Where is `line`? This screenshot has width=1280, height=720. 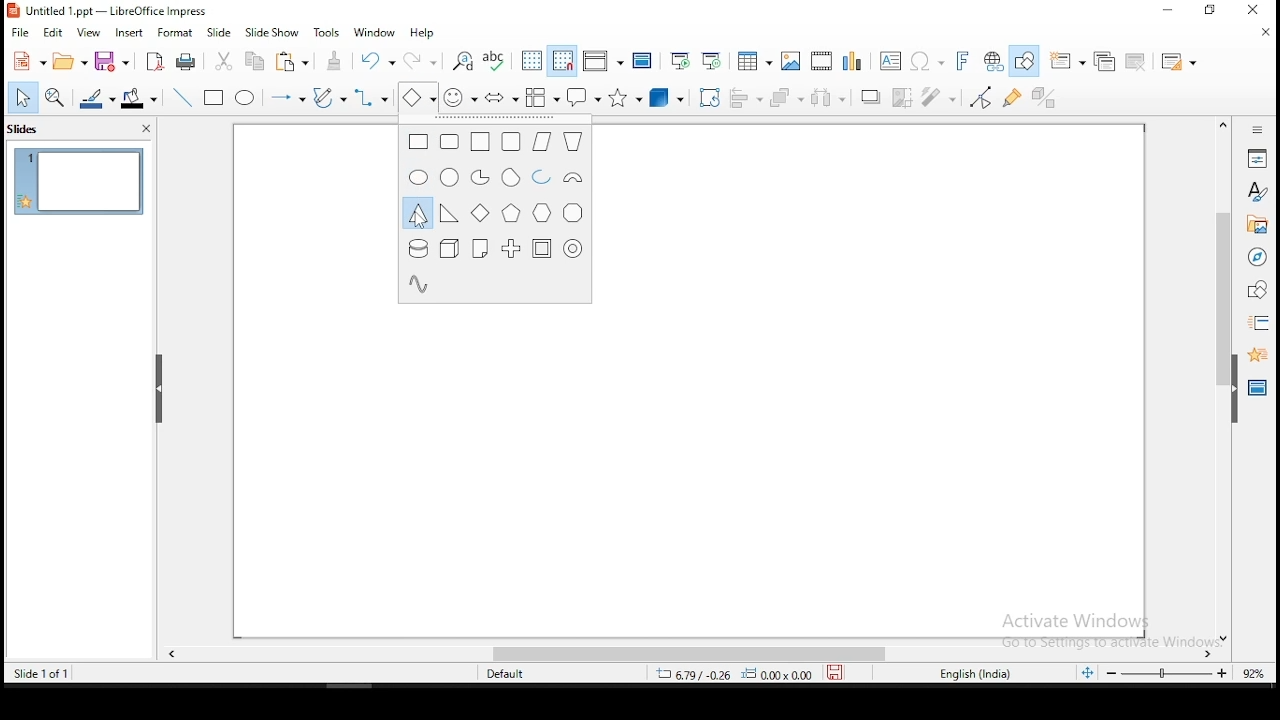 line is located at coordinates (185, 96).